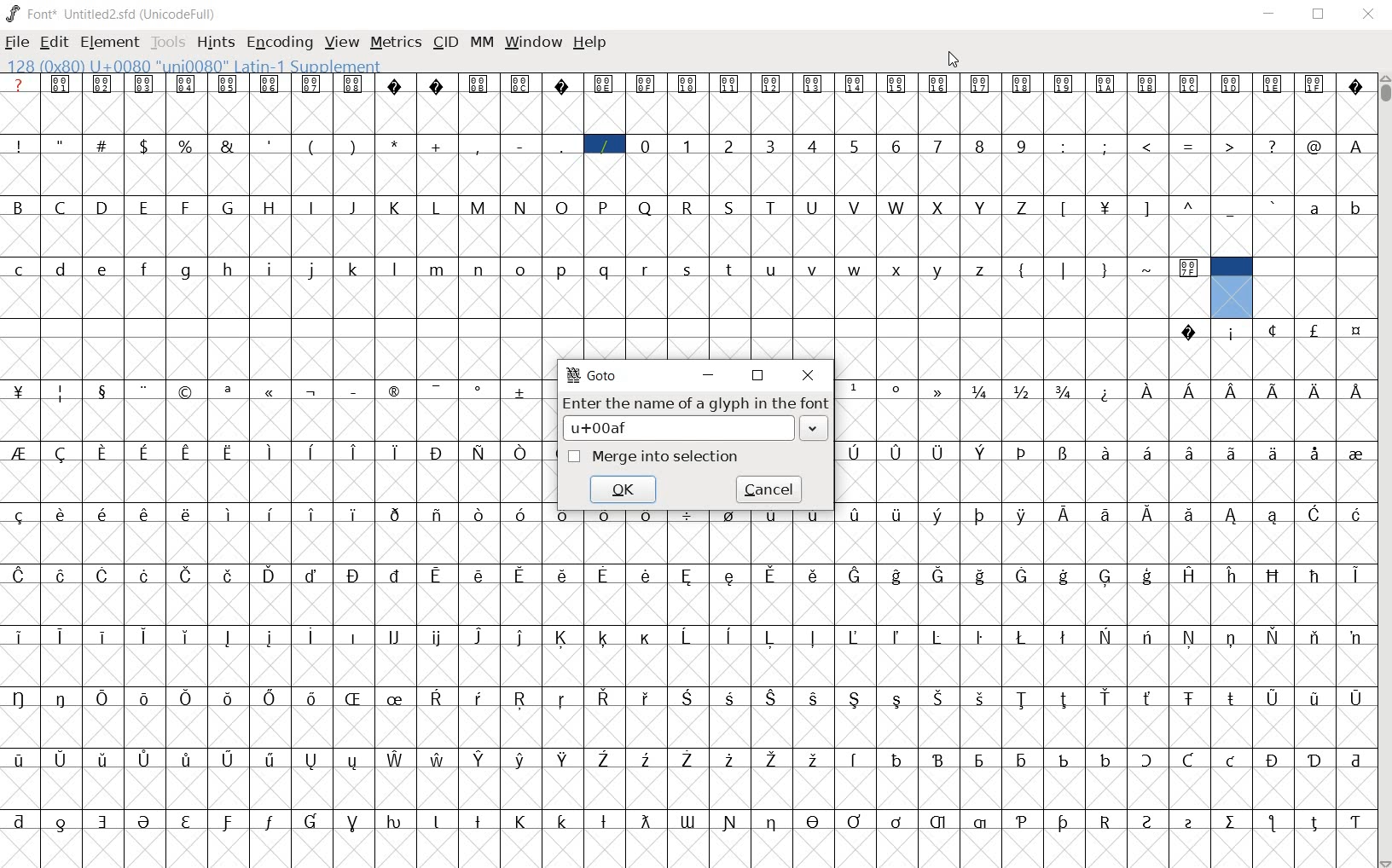 The width and height of the screenshot is (1392, 868). What do you see at coordinates (983, 698) in the screenshot?
I see `Symbol` at bounding box center [983, 698].